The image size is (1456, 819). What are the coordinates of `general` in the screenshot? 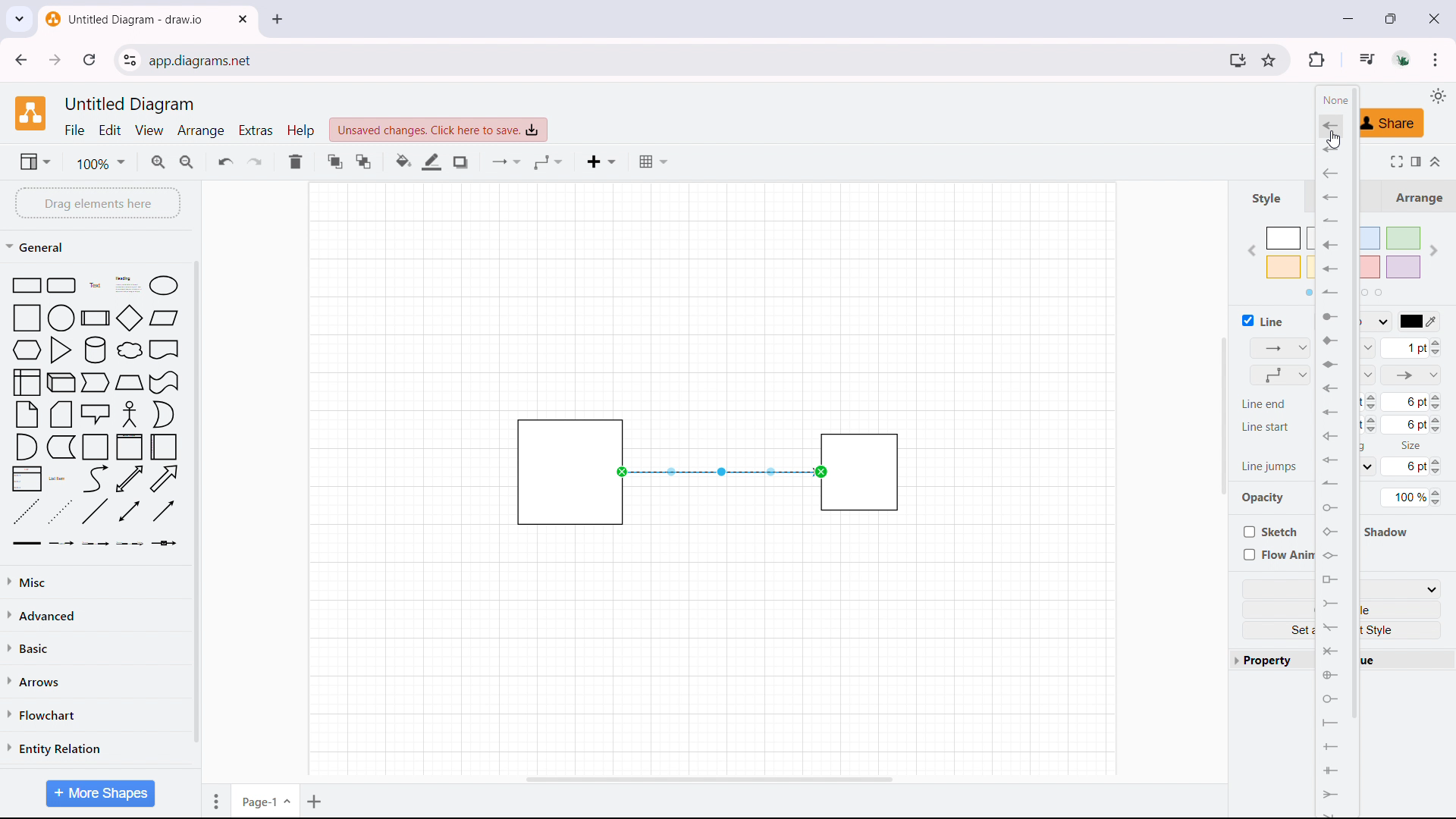 It's located at (39, 246).